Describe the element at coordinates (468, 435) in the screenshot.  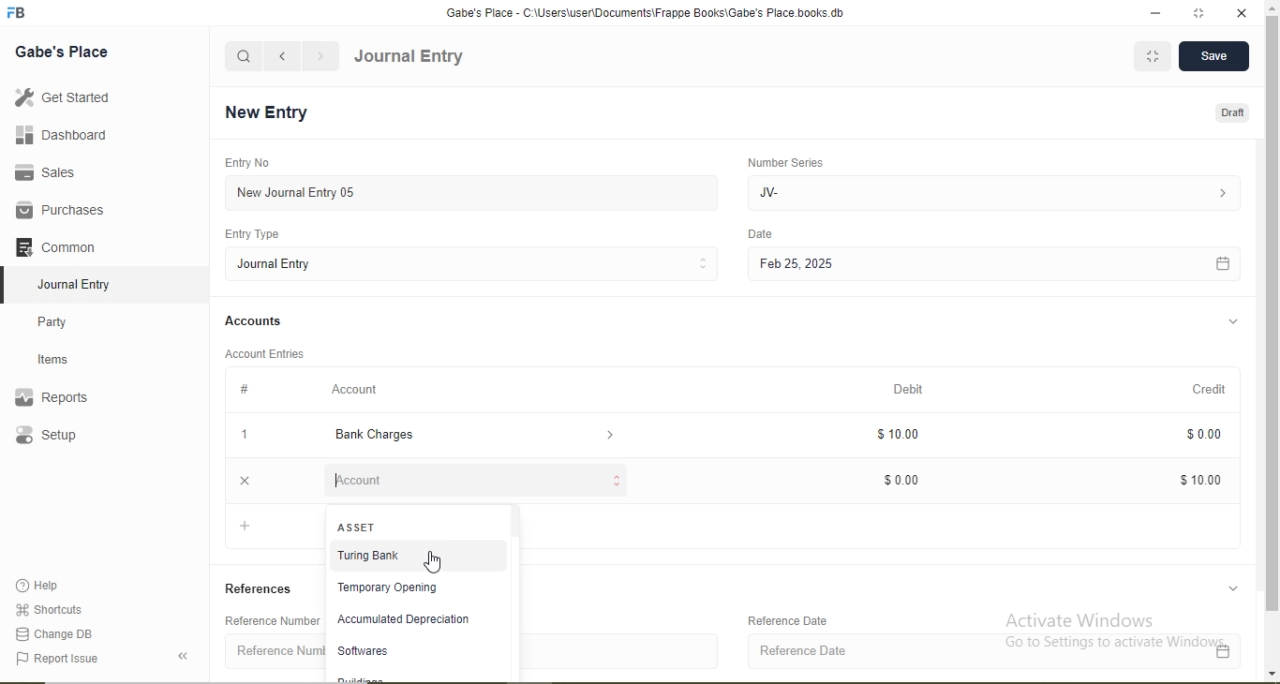
I see `Bank Charges` at that location.